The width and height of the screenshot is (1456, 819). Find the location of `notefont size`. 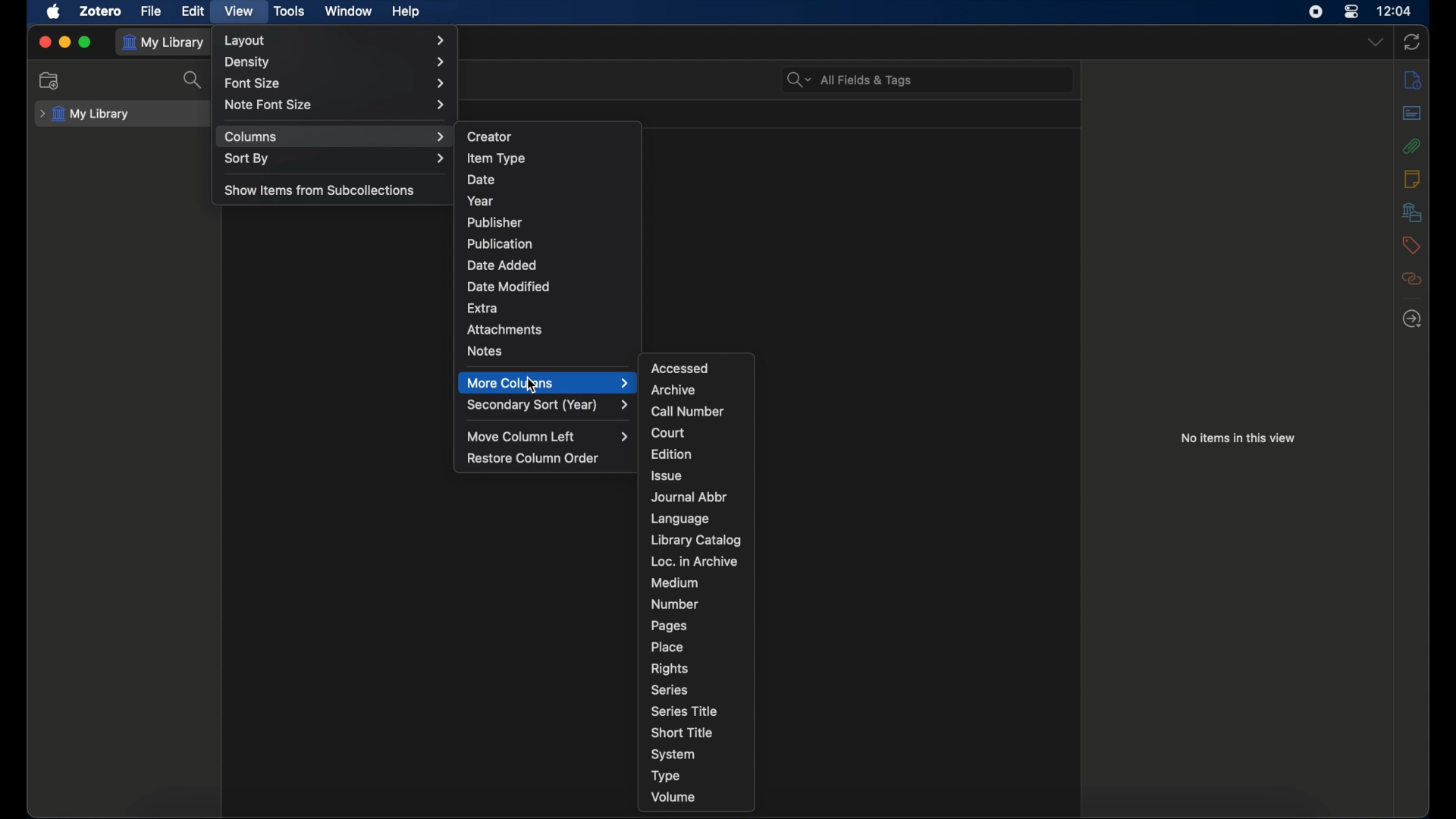

notefont size is located at coordinates (338, 105).